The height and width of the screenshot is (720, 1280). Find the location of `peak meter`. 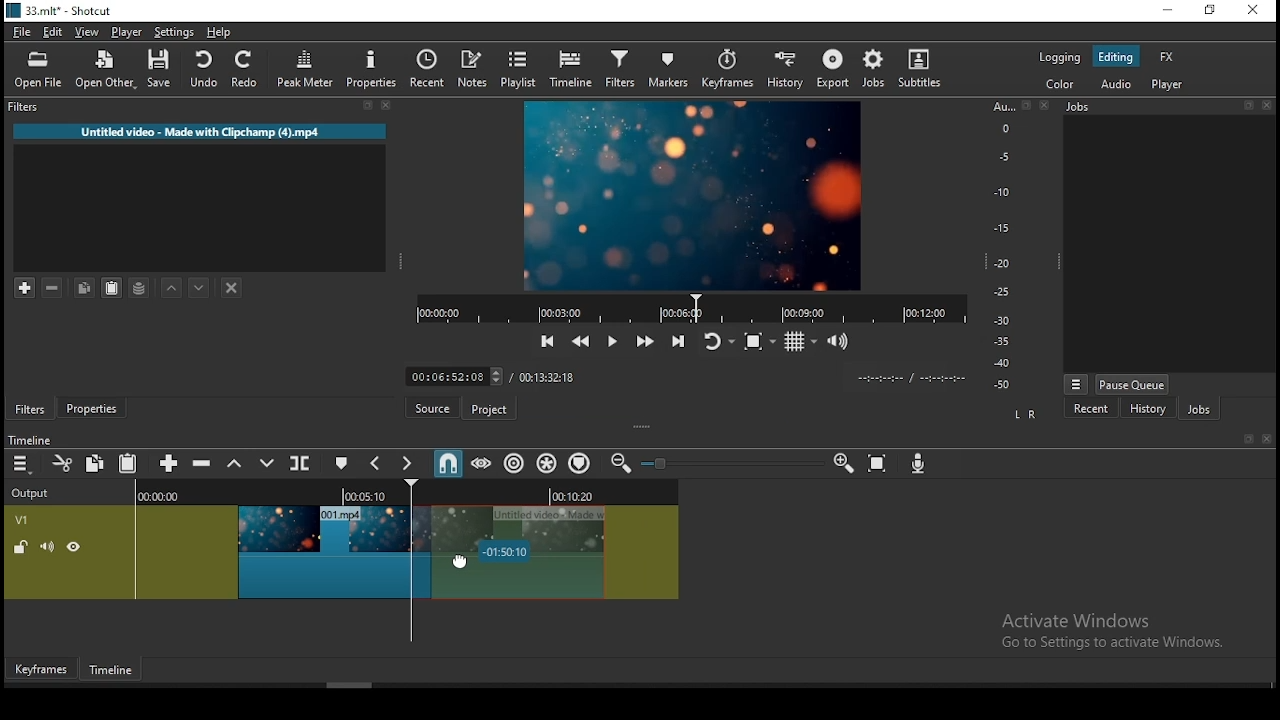

peak meter is located at coordinates (304, 69).